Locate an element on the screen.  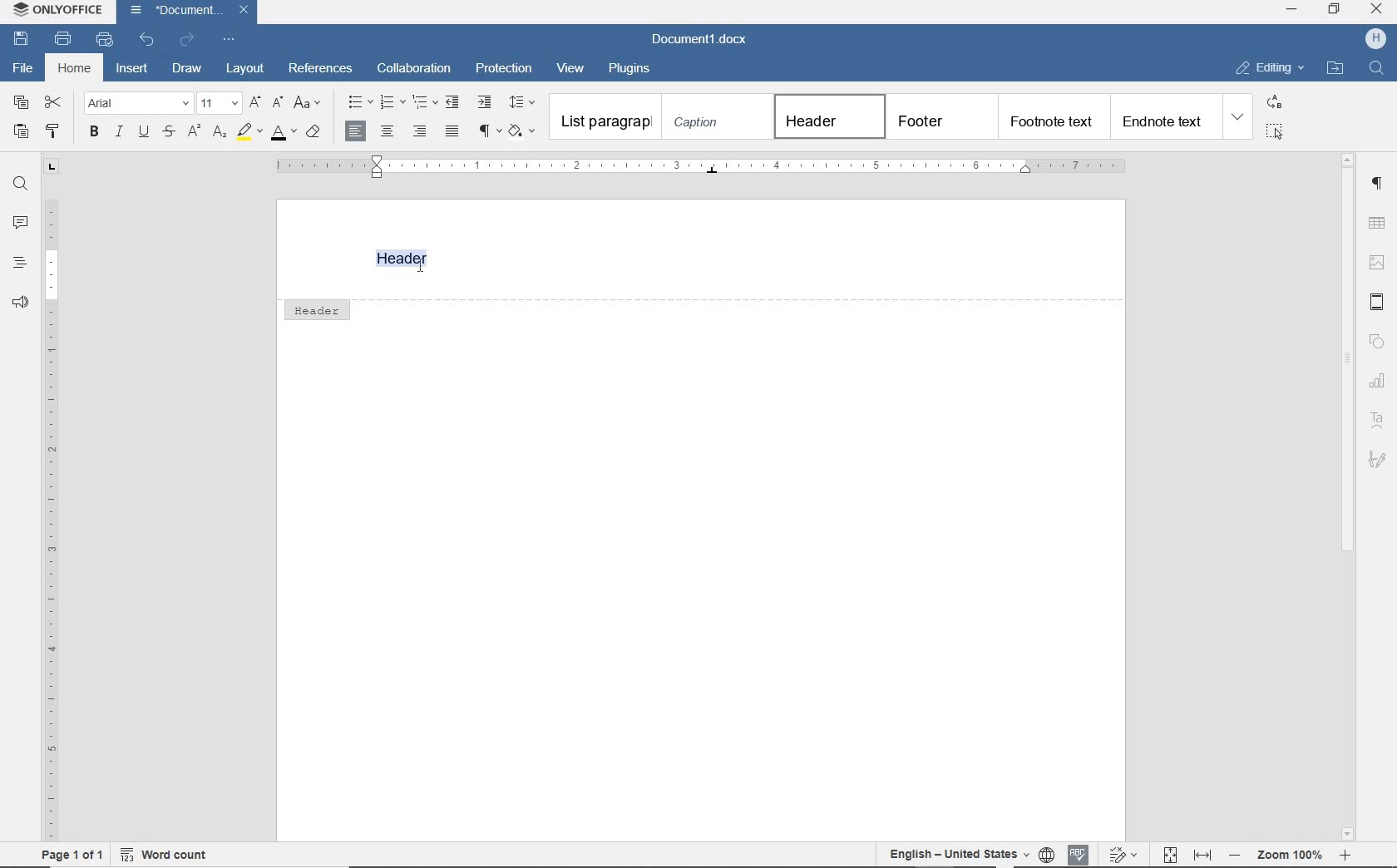
EDITING is located at coordinates (1269, 68).